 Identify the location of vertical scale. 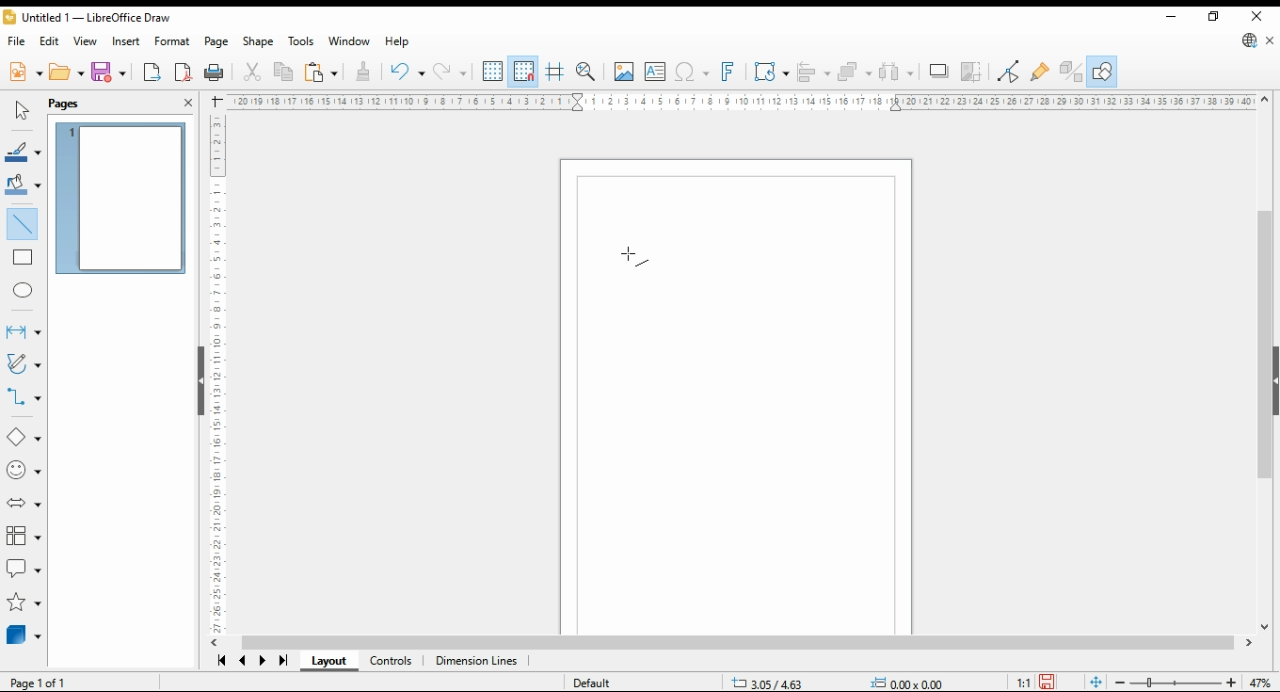
(219, 369).